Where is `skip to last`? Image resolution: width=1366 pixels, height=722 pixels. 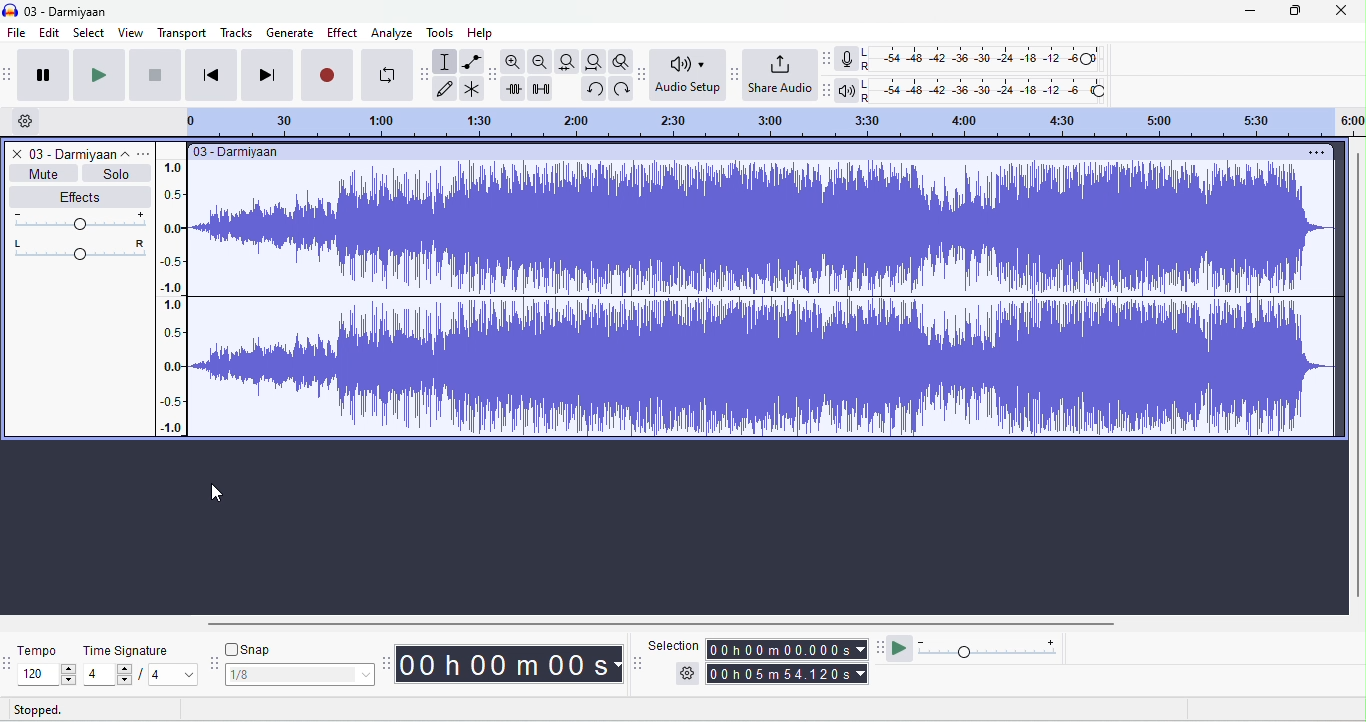 skip to last is located at coordinates (266, 75).